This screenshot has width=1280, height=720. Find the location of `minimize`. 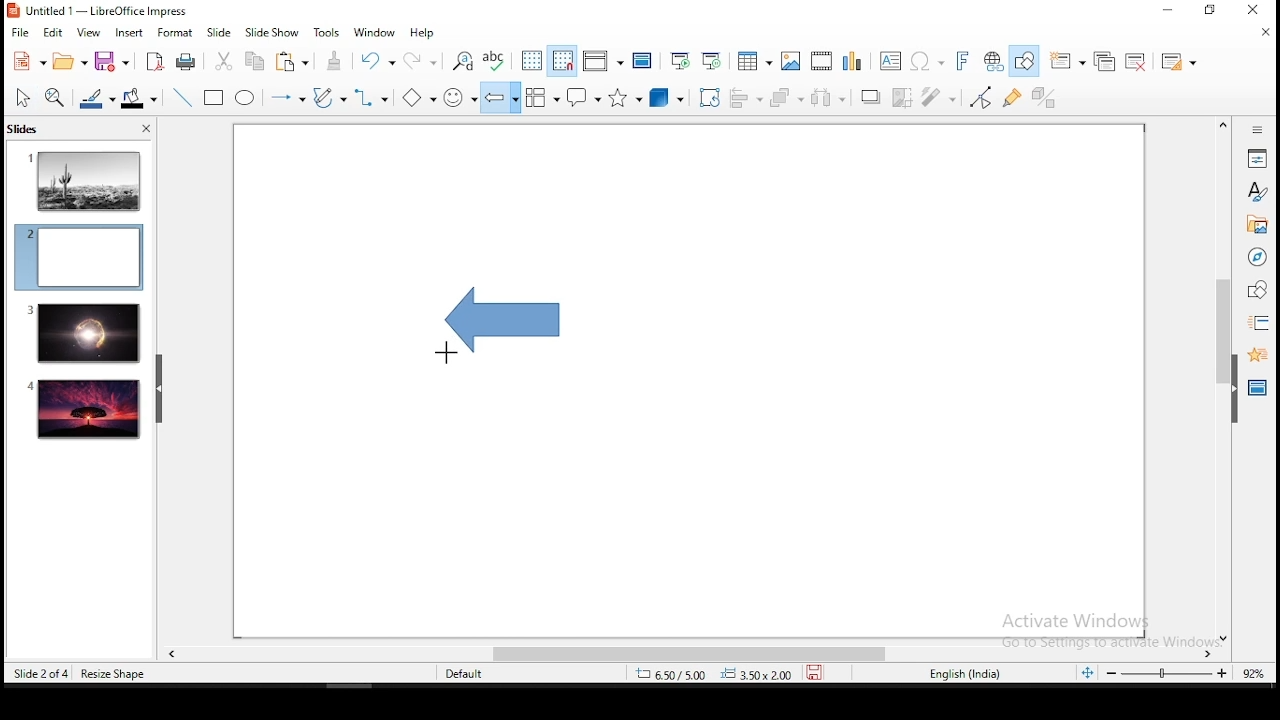

minimize is located at coordinates (1167, 11).